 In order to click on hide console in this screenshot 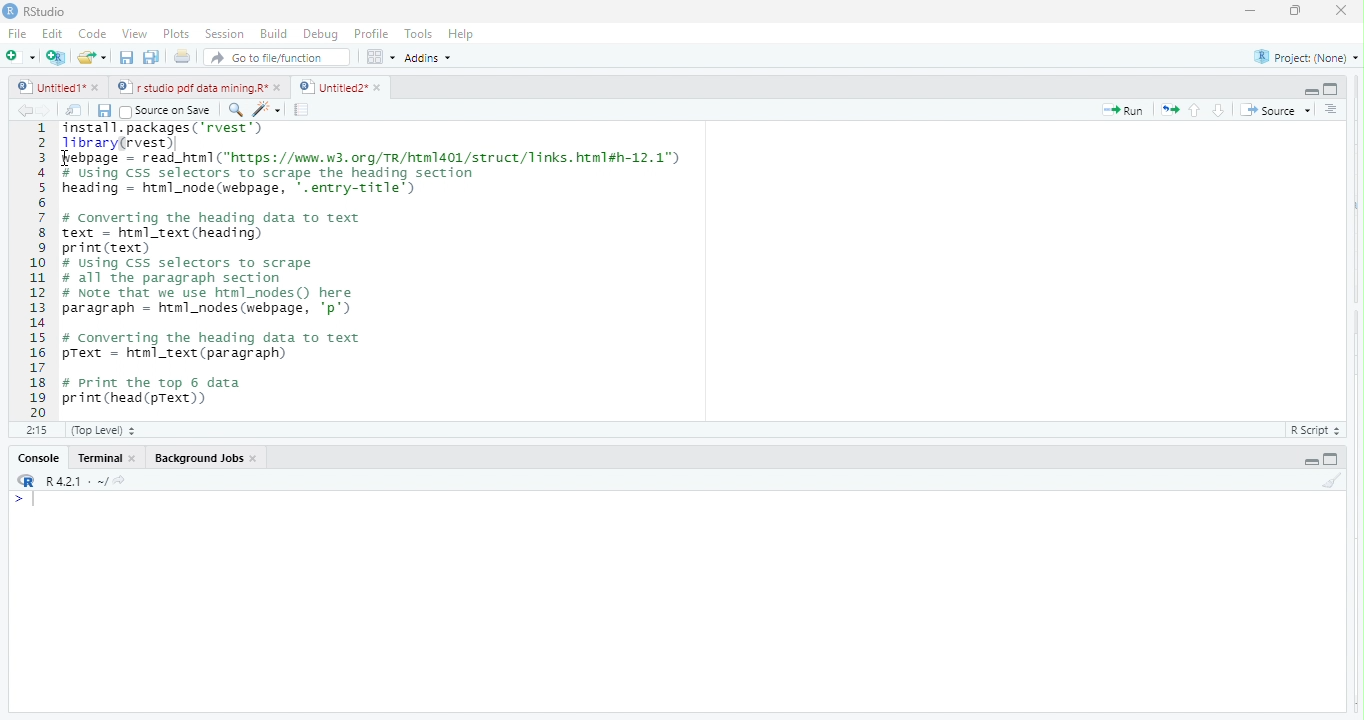, I will do `click(1329, 459)`.